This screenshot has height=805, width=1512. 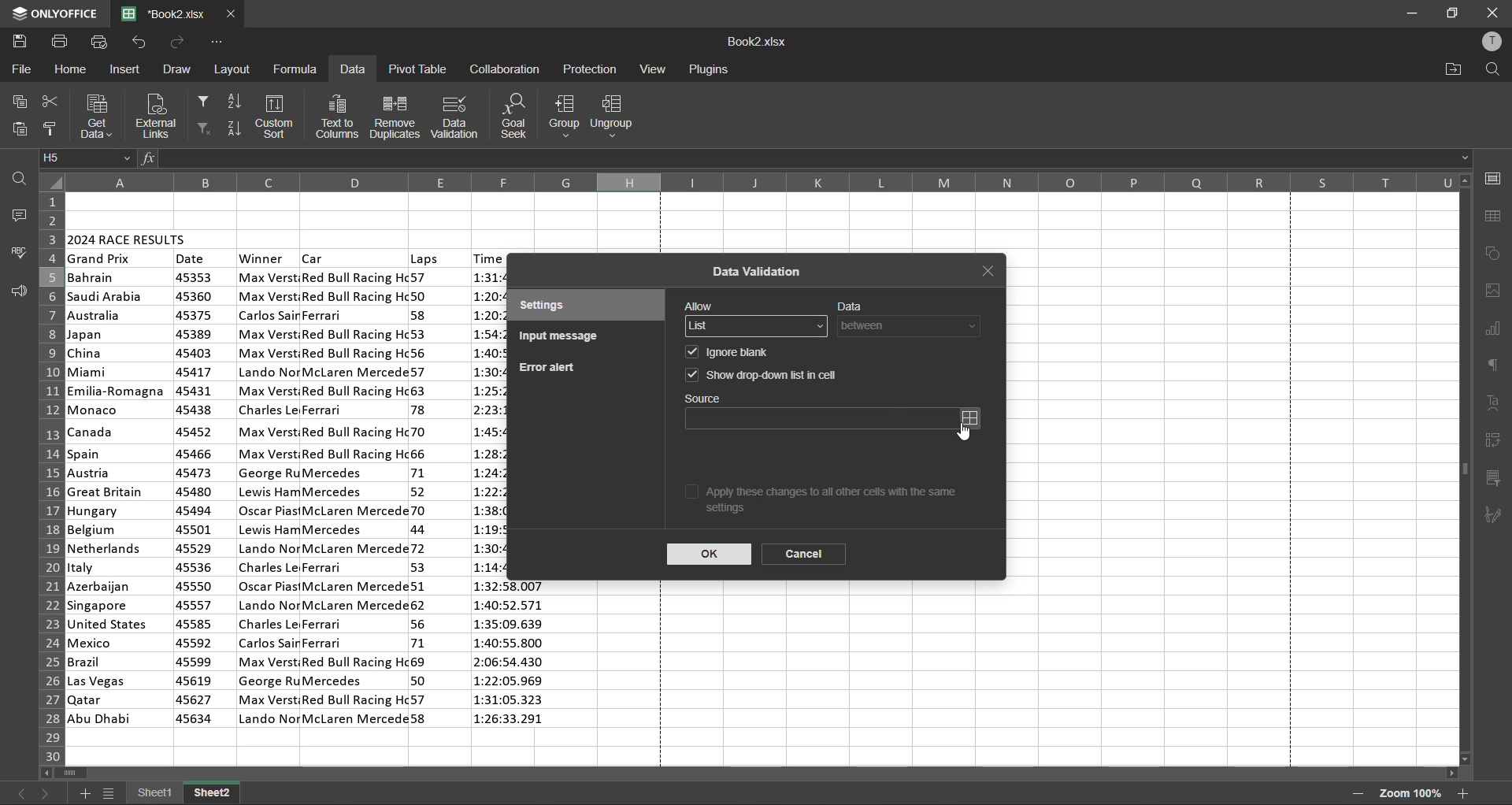 What do you see at coordinates (354, 497) in the screenshot?
I see `car` at bounding box center [354, 497].